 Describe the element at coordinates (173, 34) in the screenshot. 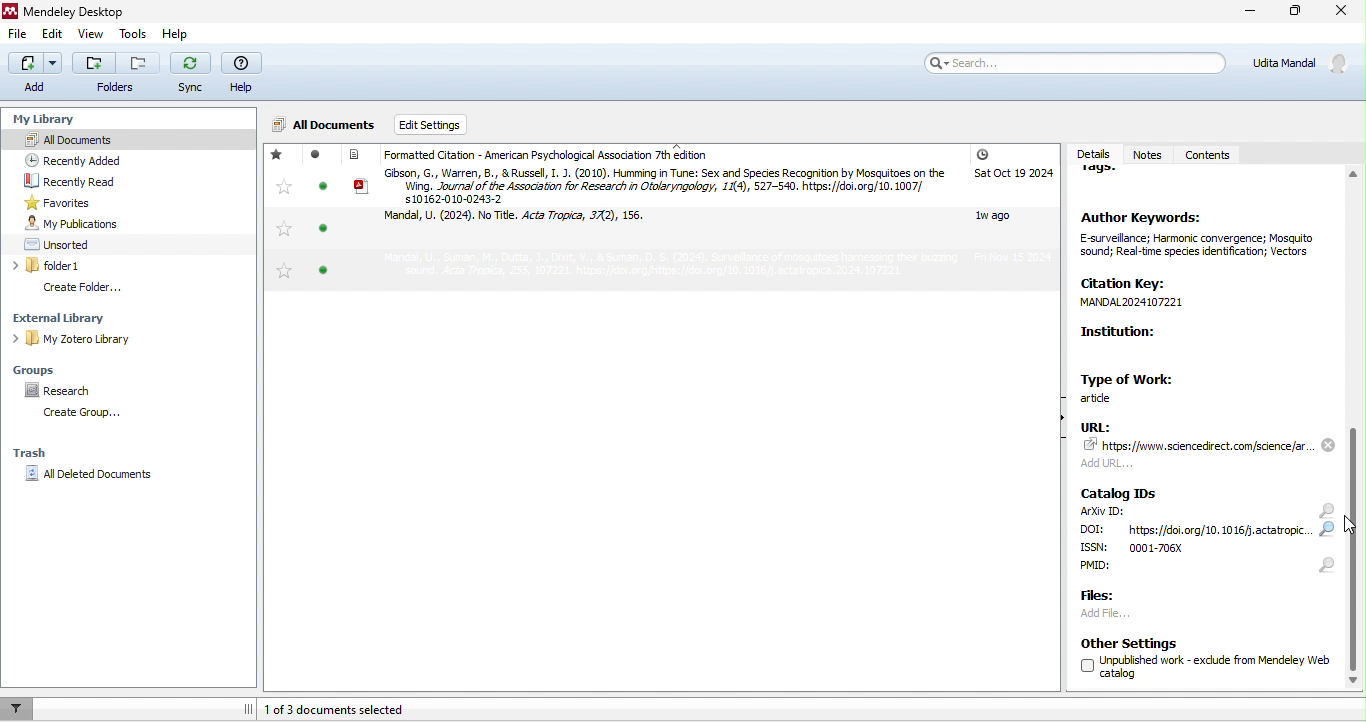

I see `help` at that location.